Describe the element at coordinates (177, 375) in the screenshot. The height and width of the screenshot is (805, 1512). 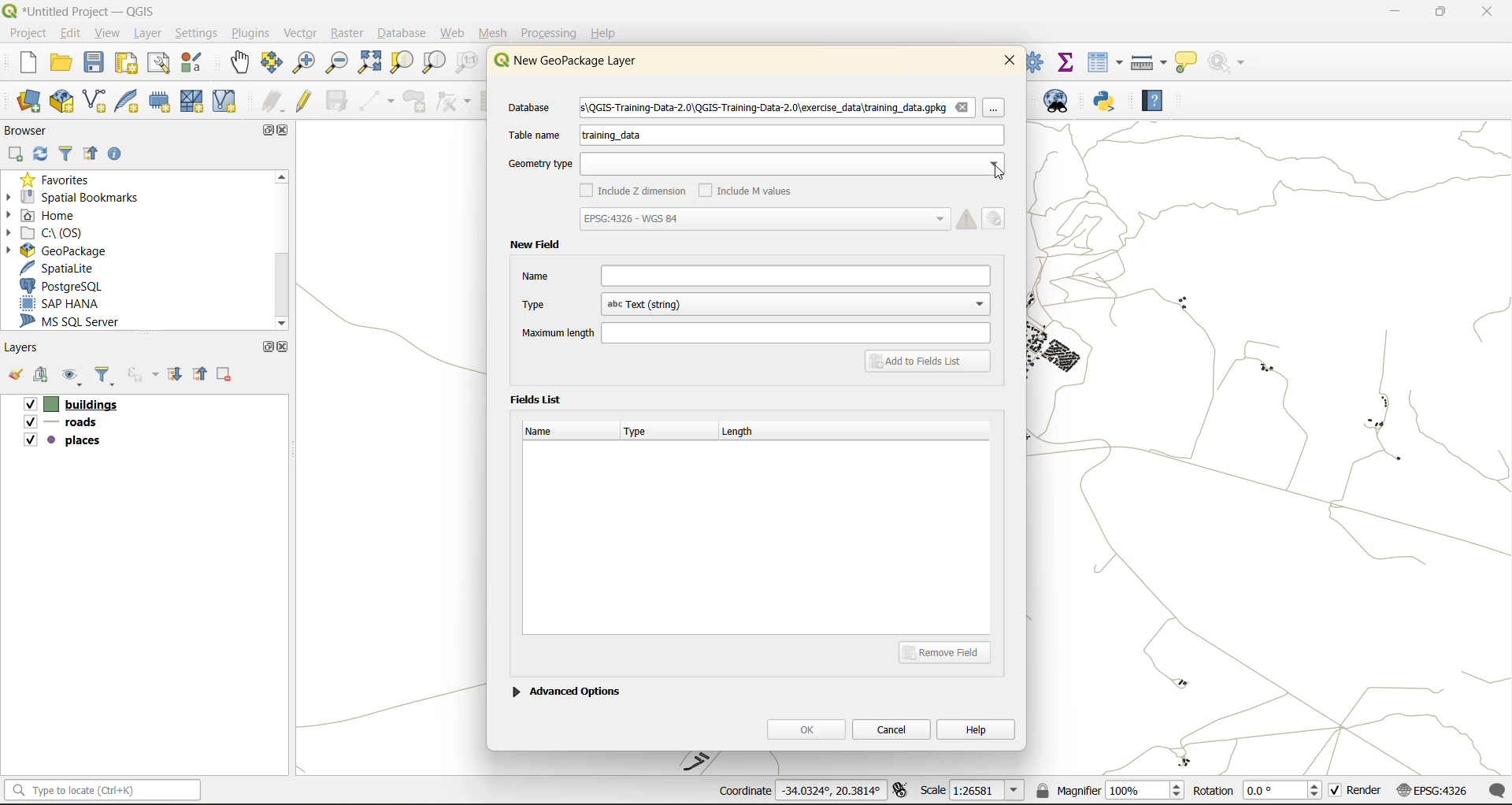
I see `expand all` at that location.